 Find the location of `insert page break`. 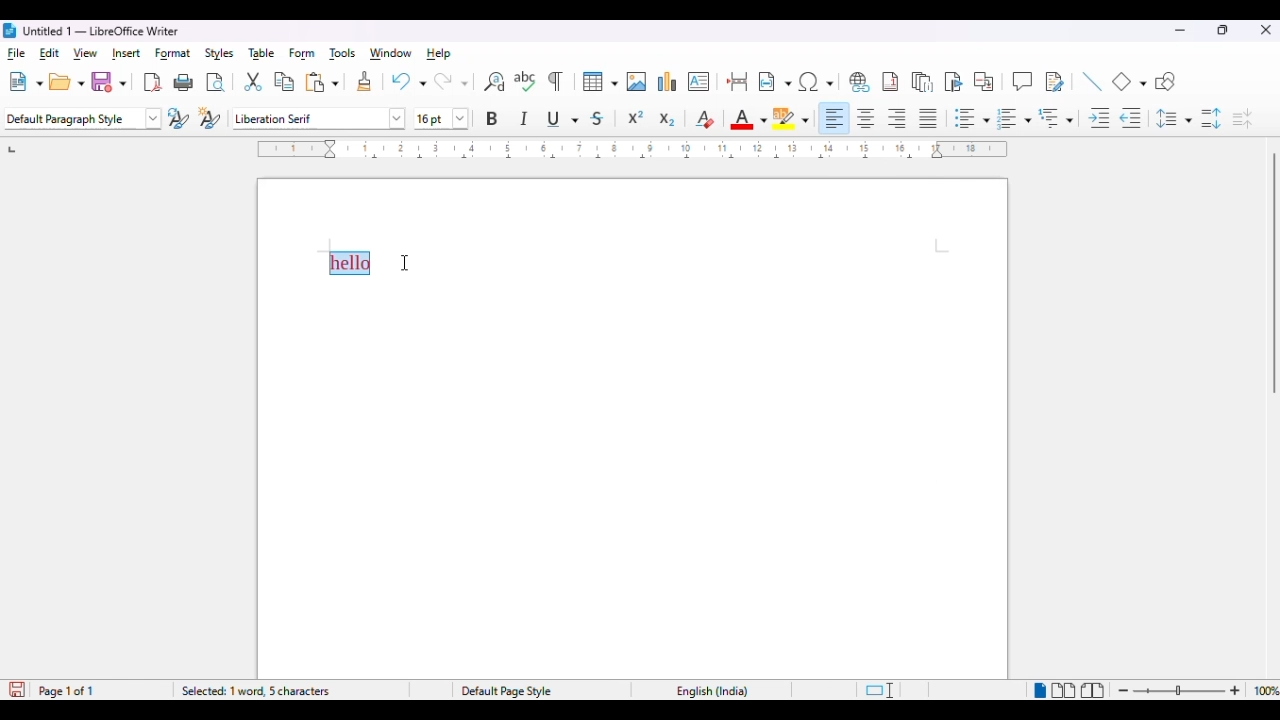

insert page break is located at coordinates (738, 81).